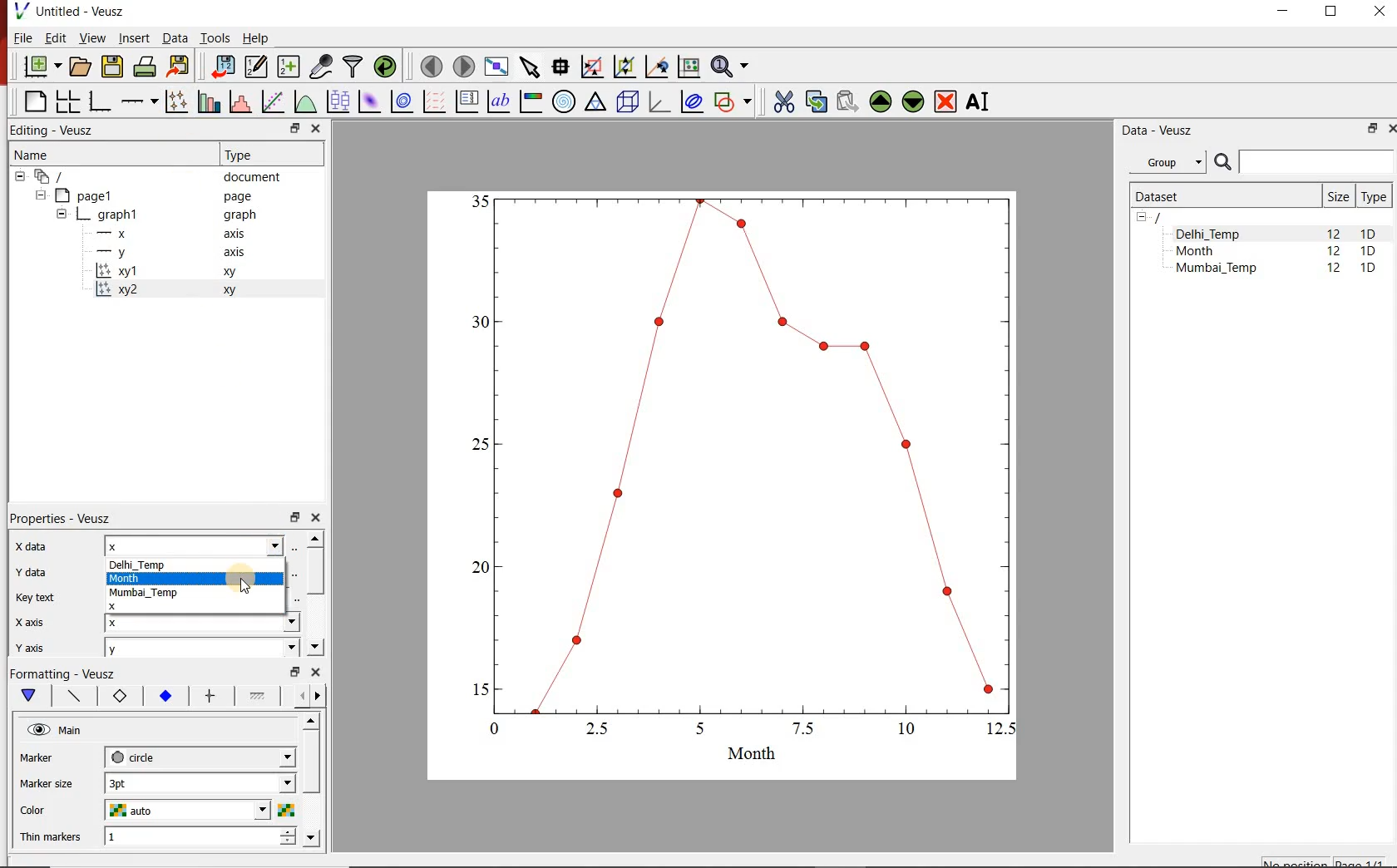  Describe the element at coordinates (402, 102) in the screenshot. I see `plot a 2d dataset as contours` at that location.